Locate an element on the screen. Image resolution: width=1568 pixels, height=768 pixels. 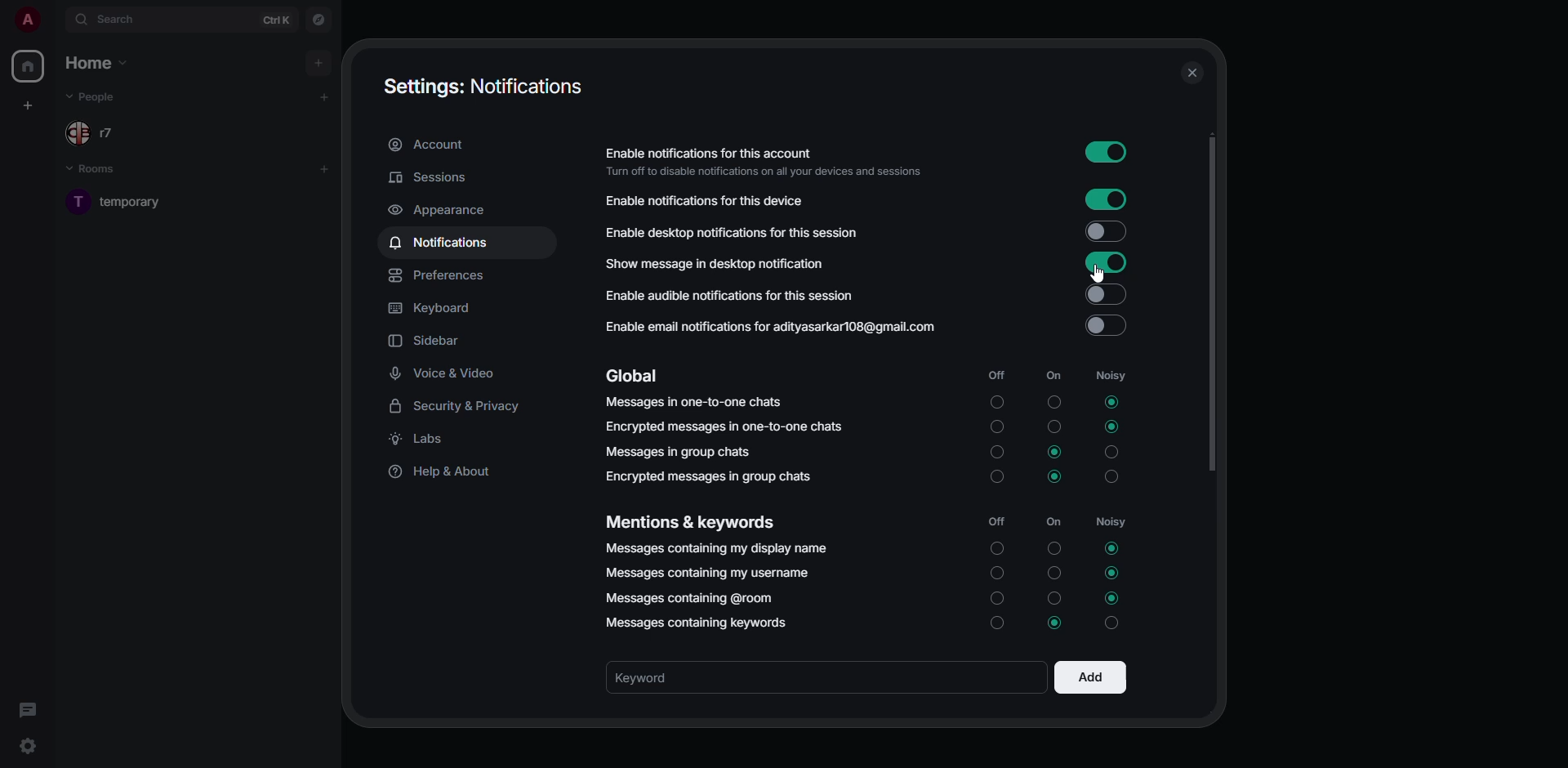
cursor is located at coordinates (1094, 275).